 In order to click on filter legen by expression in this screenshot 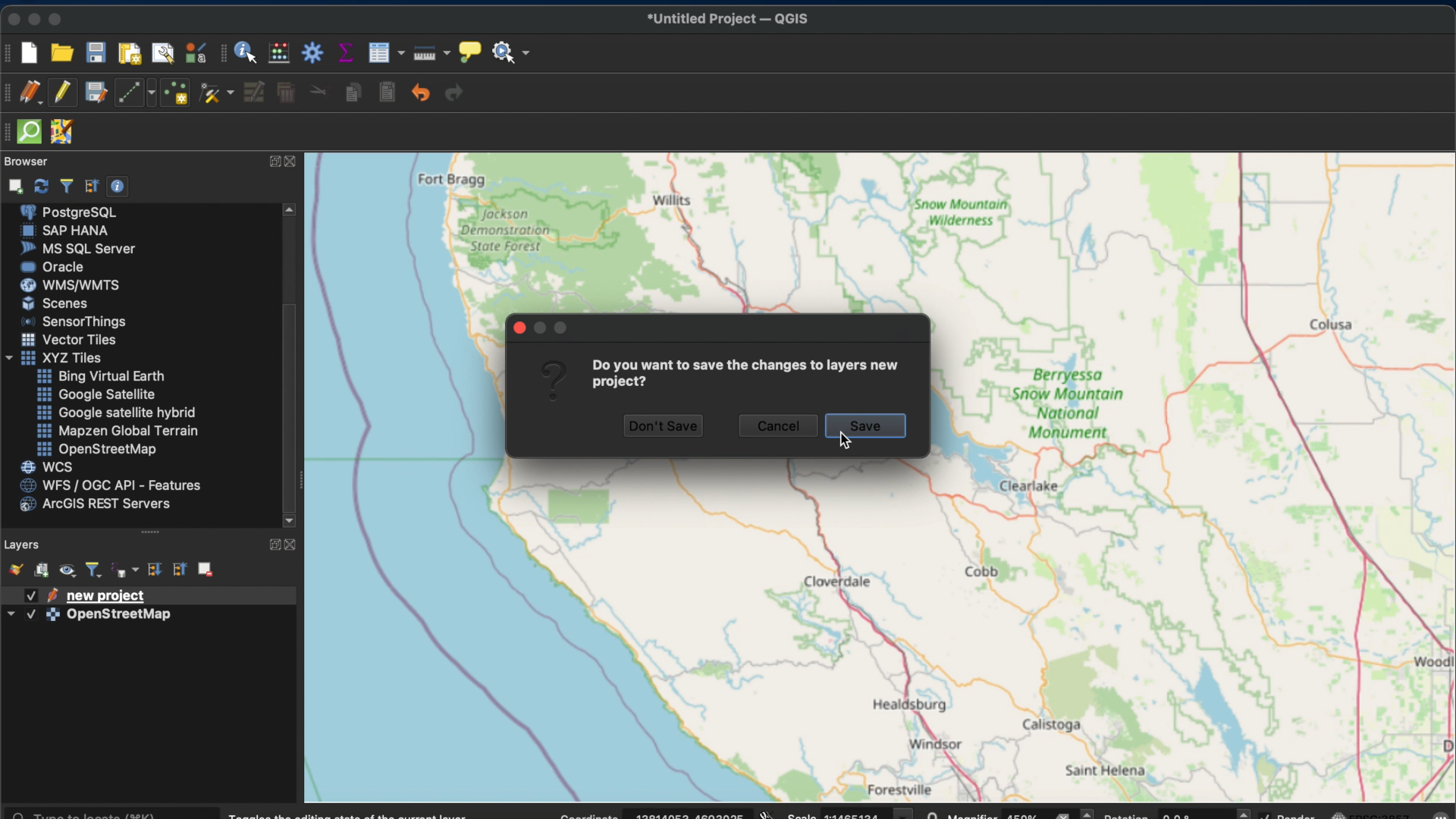, I will do `click(126, 570)`.